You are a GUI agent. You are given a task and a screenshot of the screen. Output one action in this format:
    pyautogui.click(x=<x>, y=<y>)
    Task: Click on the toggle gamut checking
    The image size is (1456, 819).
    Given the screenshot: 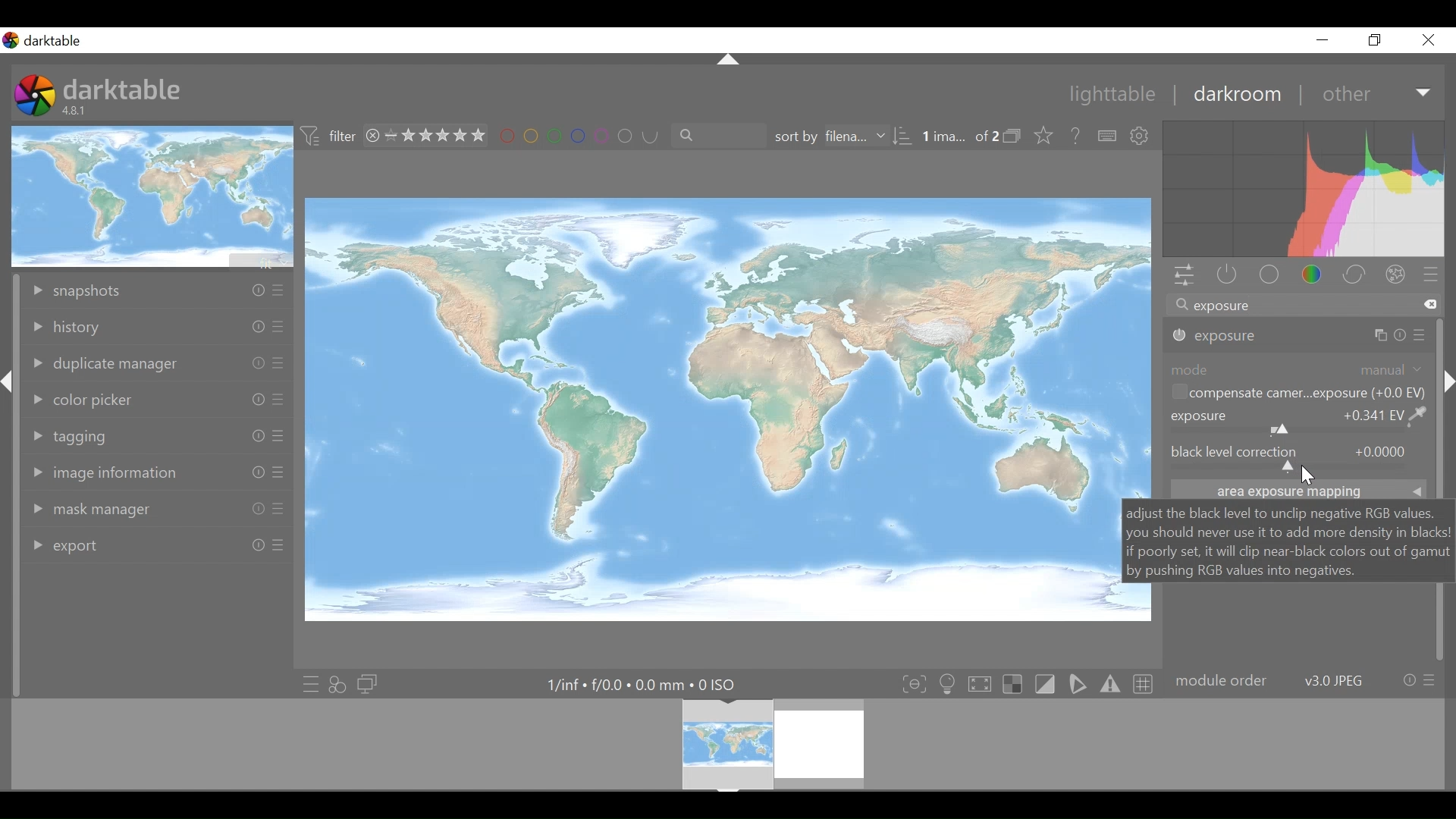 What is the action you would take?
    pyautogui.click(x=1109, y=686)
    